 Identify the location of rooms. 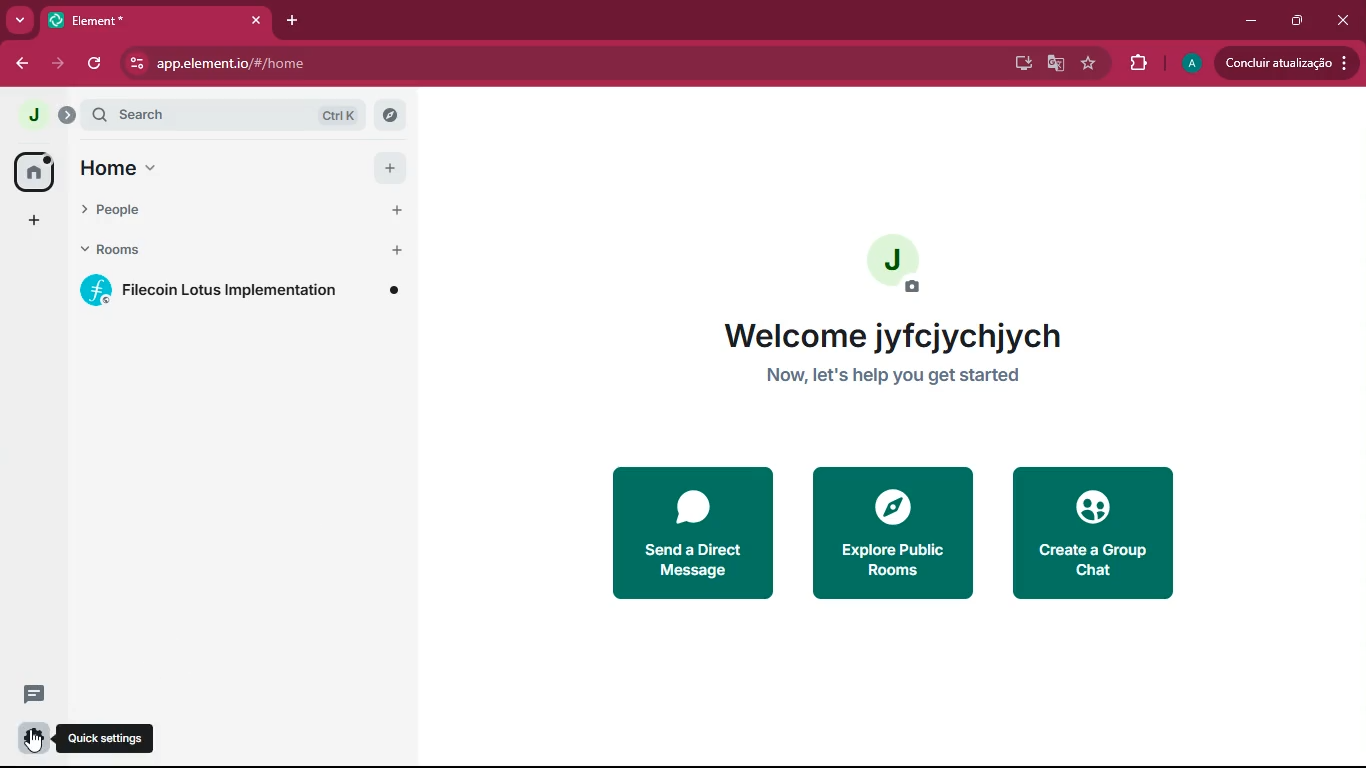
(192, 246).